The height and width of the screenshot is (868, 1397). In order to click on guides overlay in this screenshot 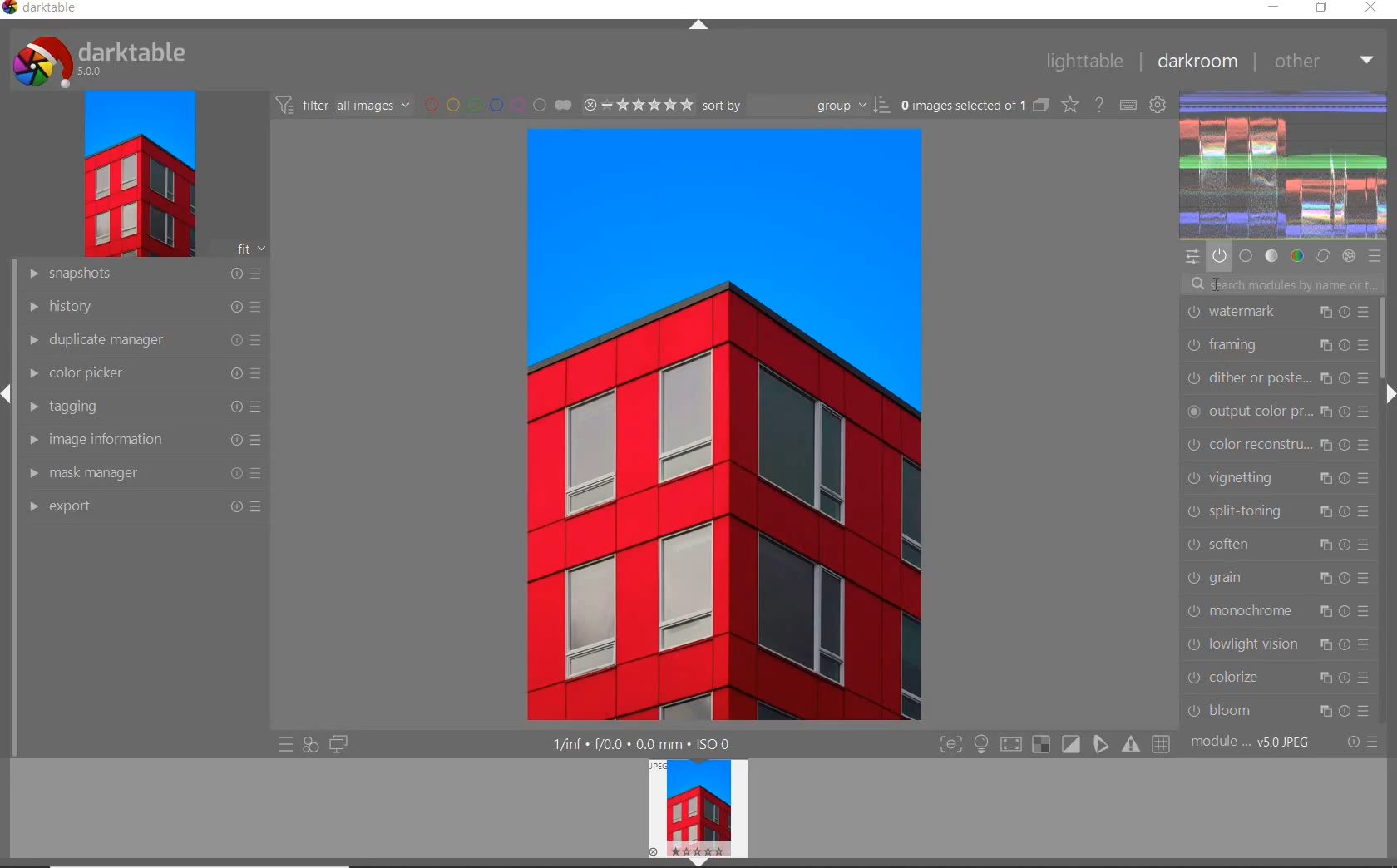, I will do `click(1100, 745)`.